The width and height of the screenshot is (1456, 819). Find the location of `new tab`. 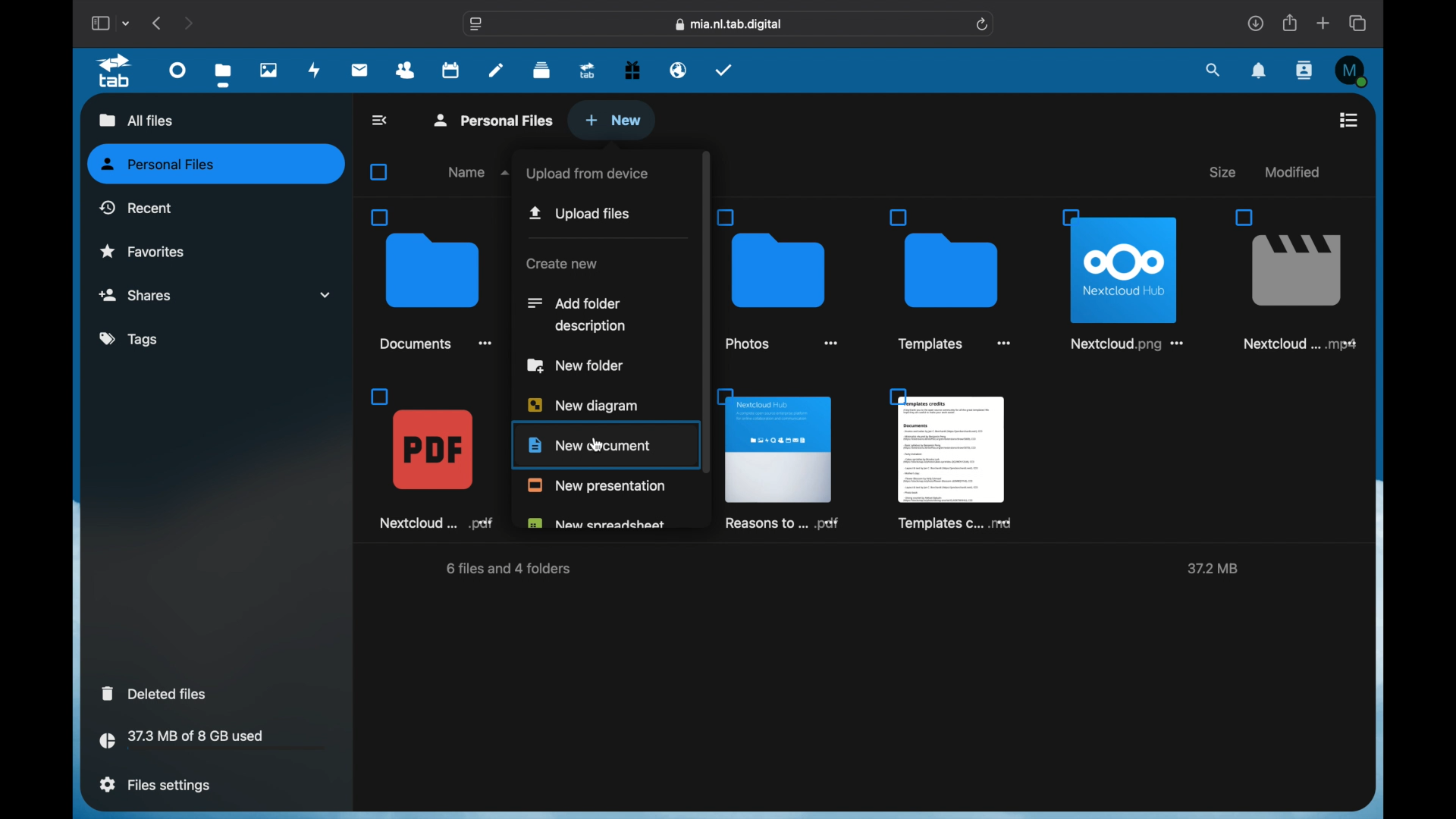

new tab is located at coordinates (1323, 23).